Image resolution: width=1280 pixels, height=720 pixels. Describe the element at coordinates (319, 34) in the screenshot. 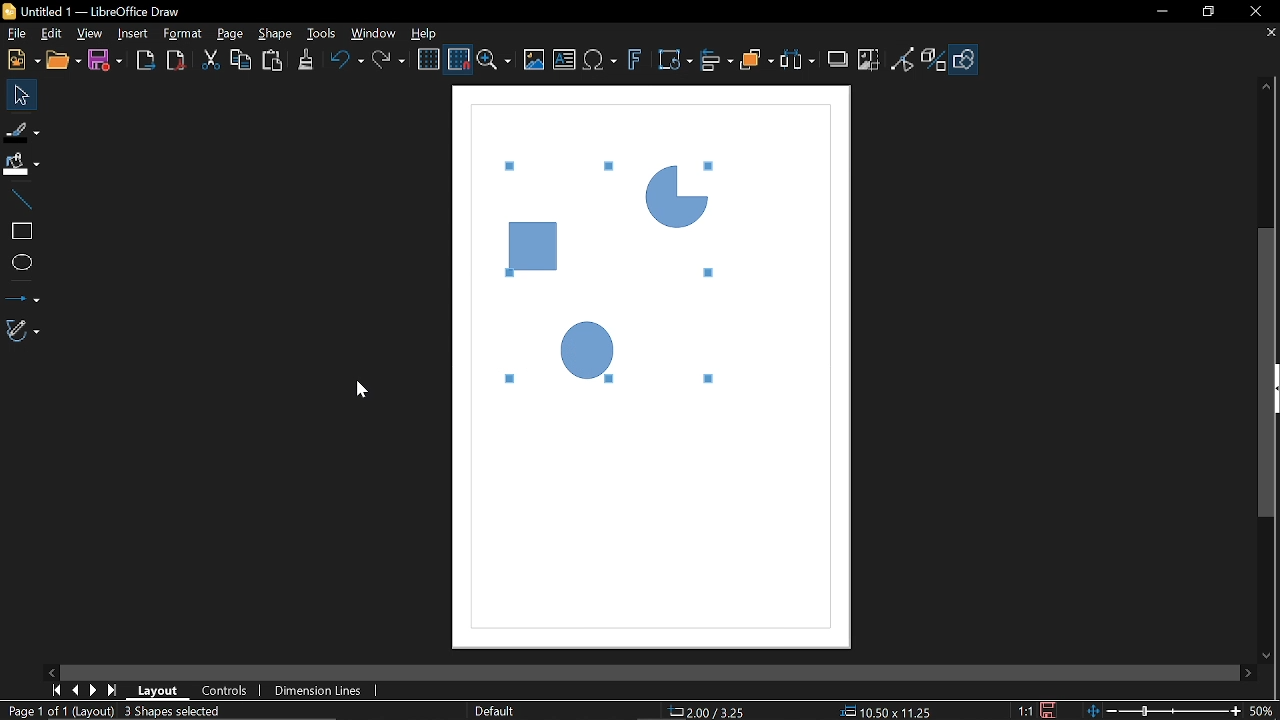

I see `Tools` at that location.